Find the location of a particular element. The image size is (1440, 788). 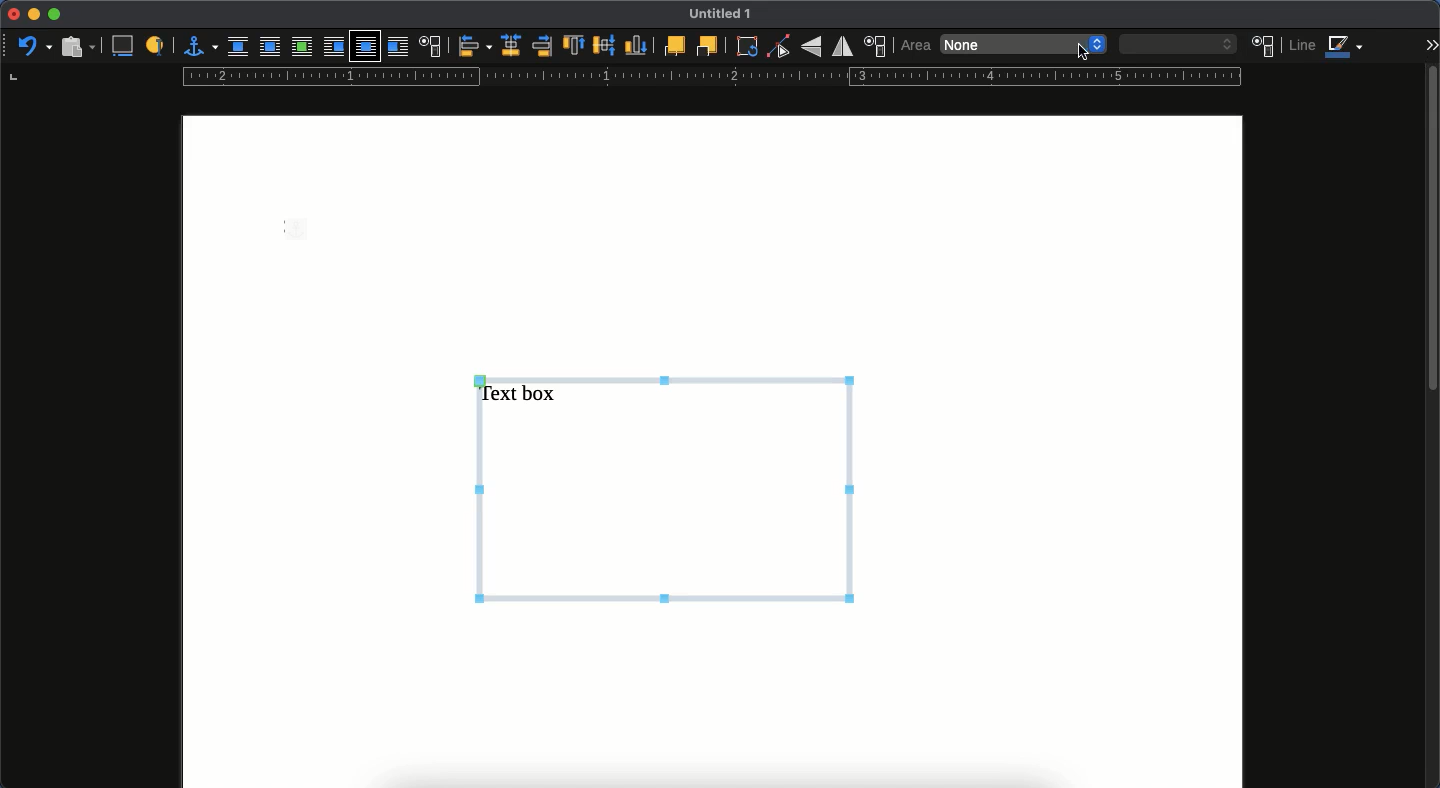

scroll is located at coordinates (1431, 424).